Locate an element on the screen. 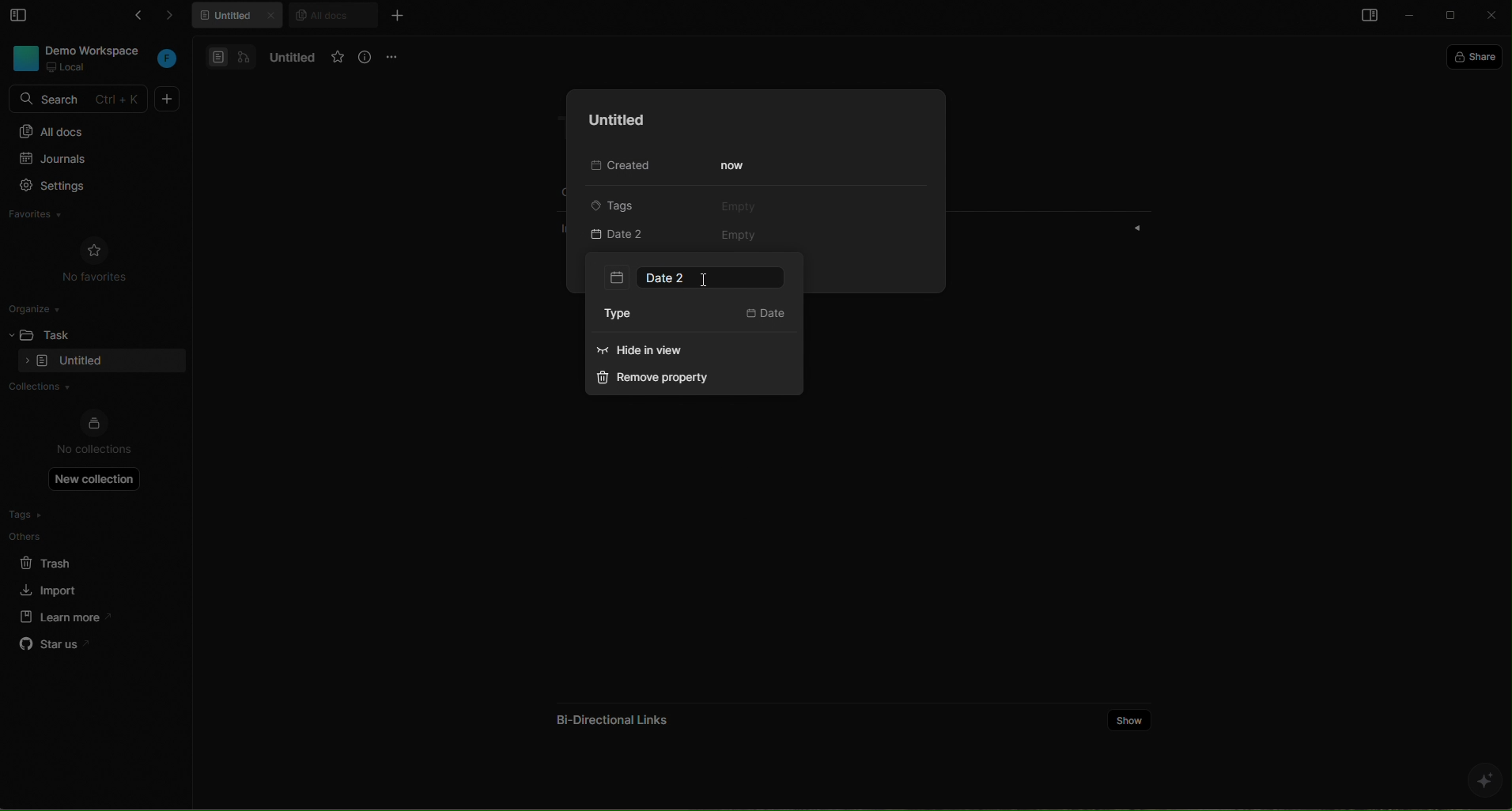 The image size is (1512, 811). open sidebar is located at coordinates (1366, 17).